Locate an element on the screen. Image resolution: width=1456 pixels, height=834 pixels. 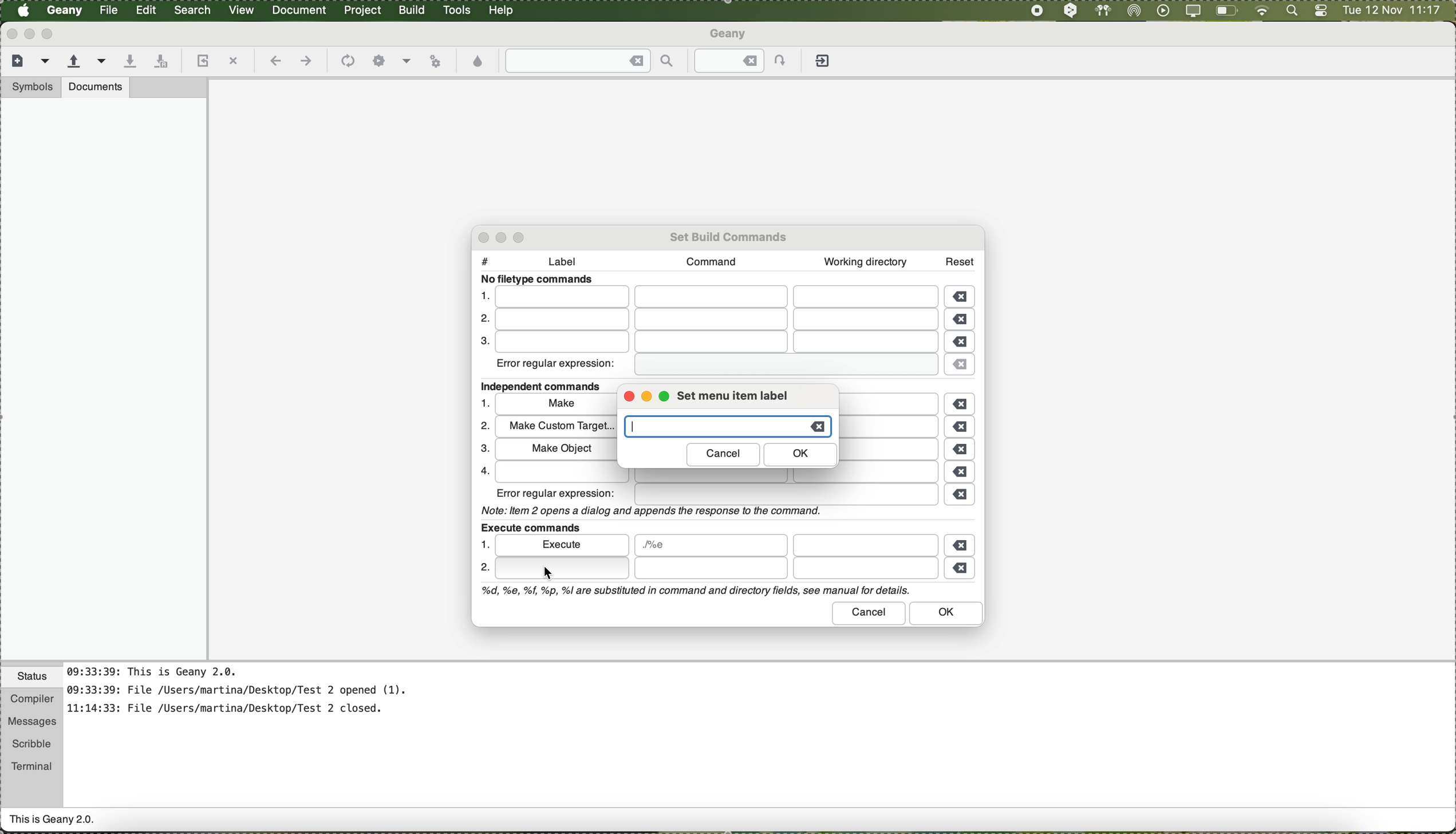
reload the current file from disk is located at coordinates (201, 62).